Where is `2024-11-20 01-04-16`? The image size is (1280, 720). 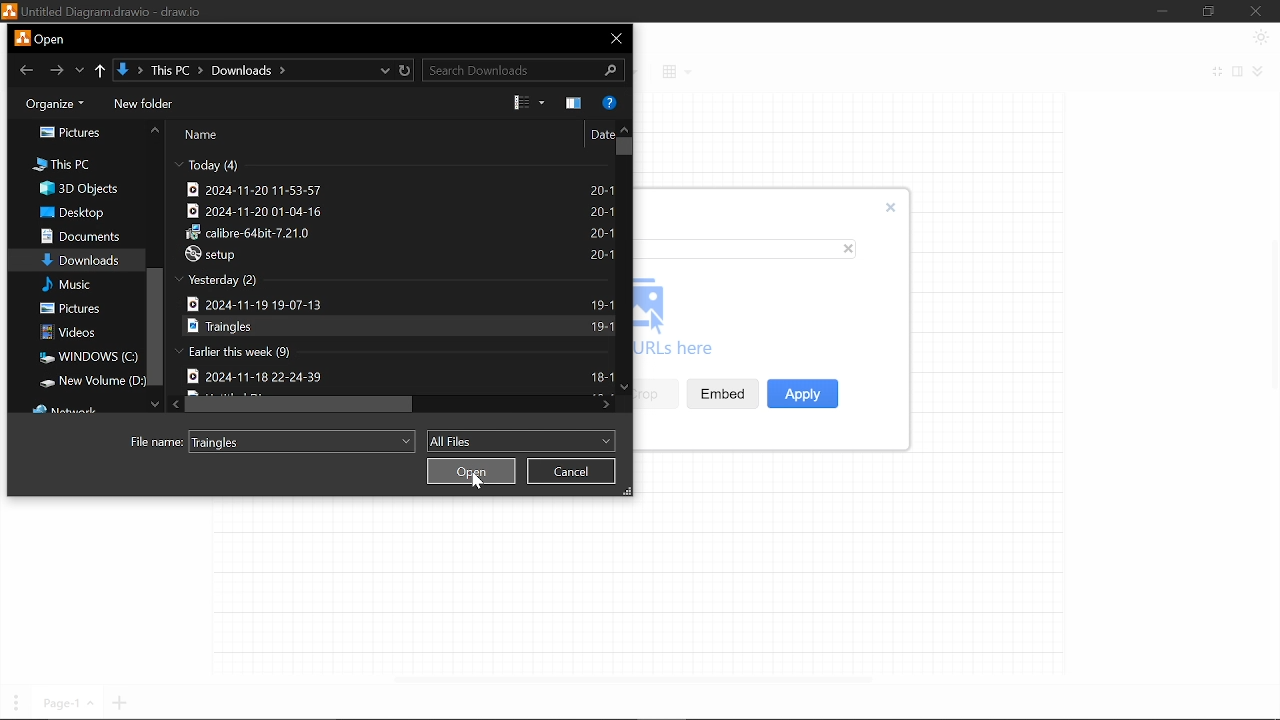
2024-11-20 01-04-16 is located at coordinates (259, 211).